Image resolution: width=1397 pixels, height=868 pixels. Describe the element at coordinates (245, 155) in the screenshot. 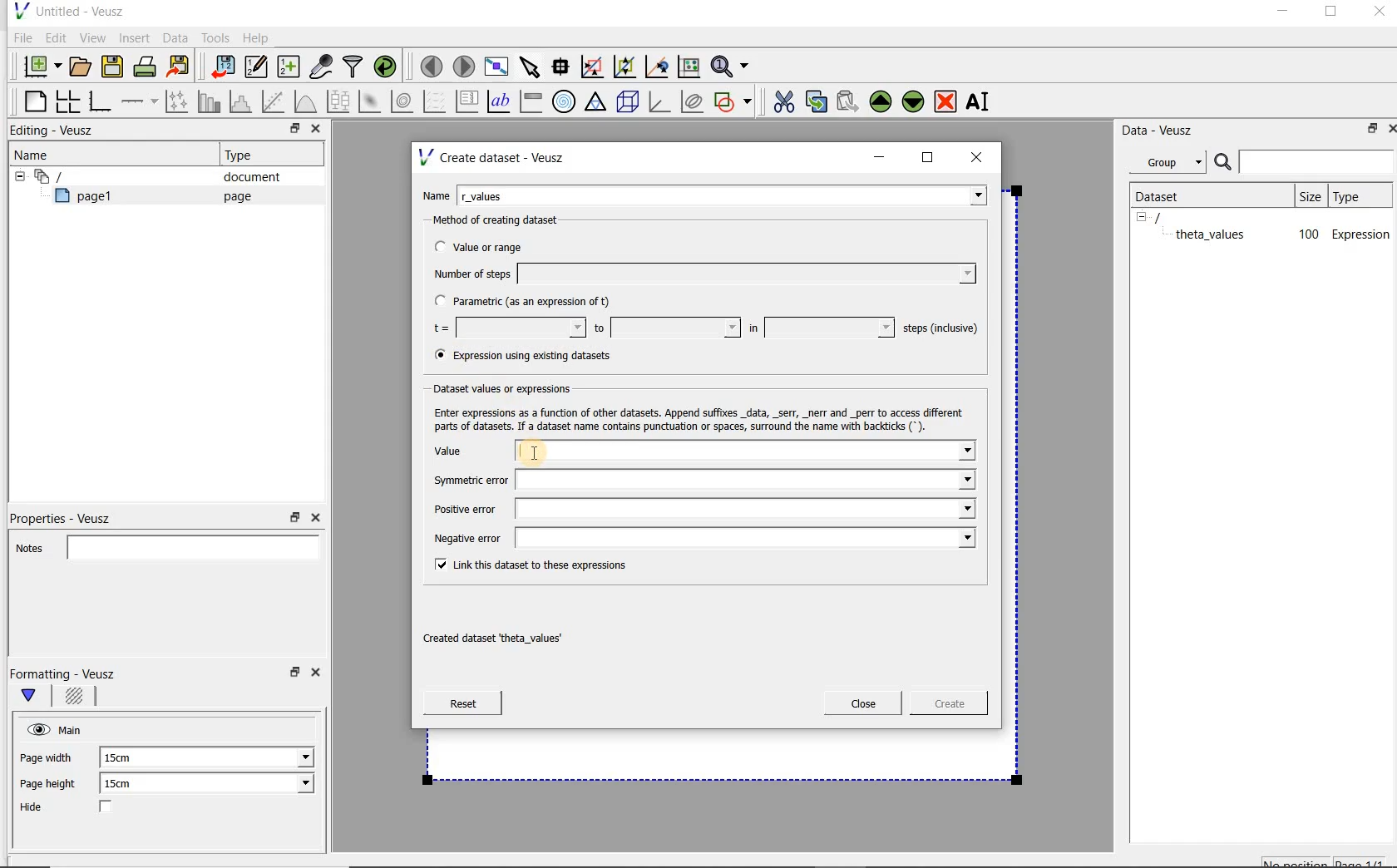

I see `Type` at that location.